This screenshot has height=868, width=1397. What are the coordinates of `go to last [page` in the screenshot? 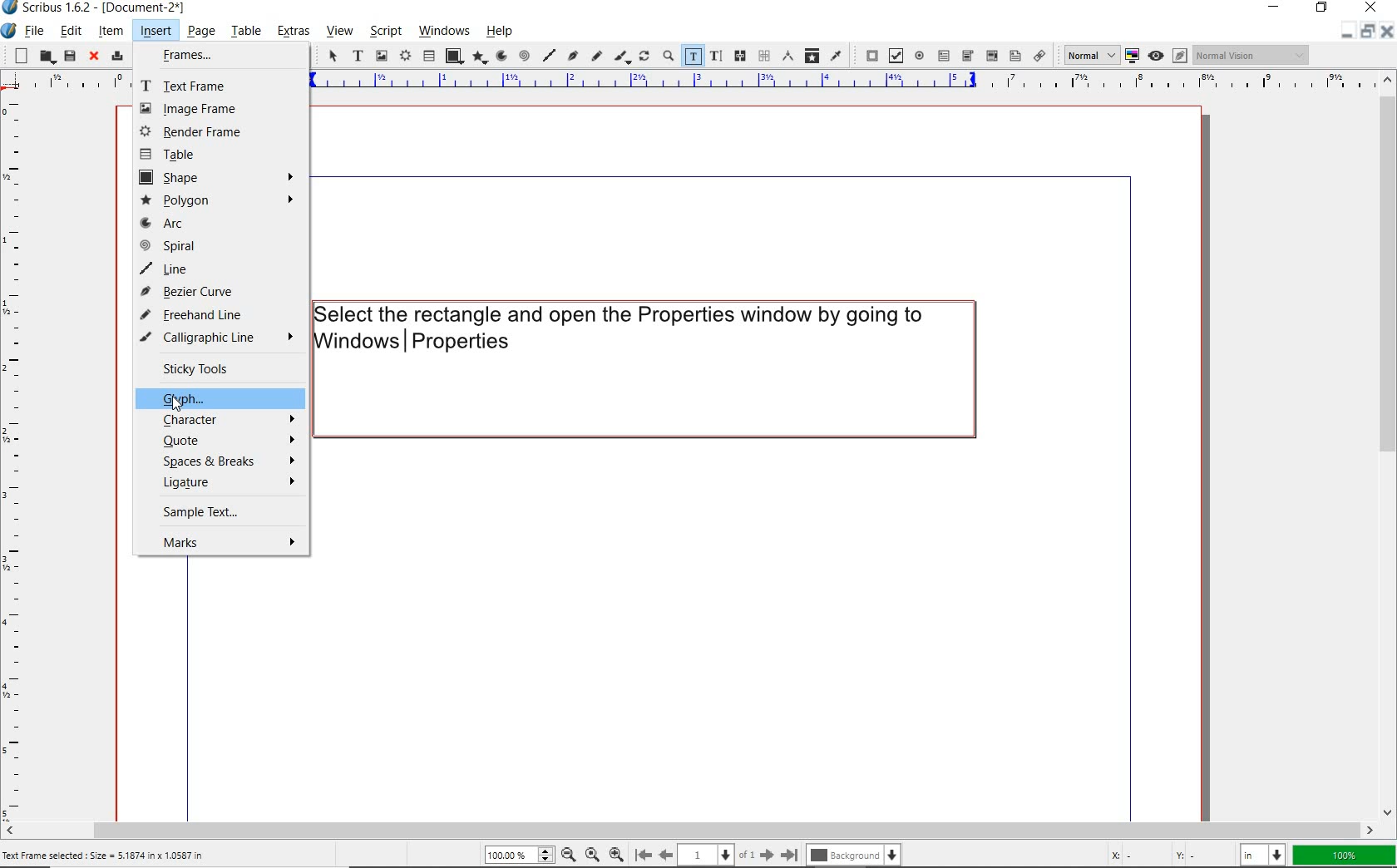 It's located at (789, 854).